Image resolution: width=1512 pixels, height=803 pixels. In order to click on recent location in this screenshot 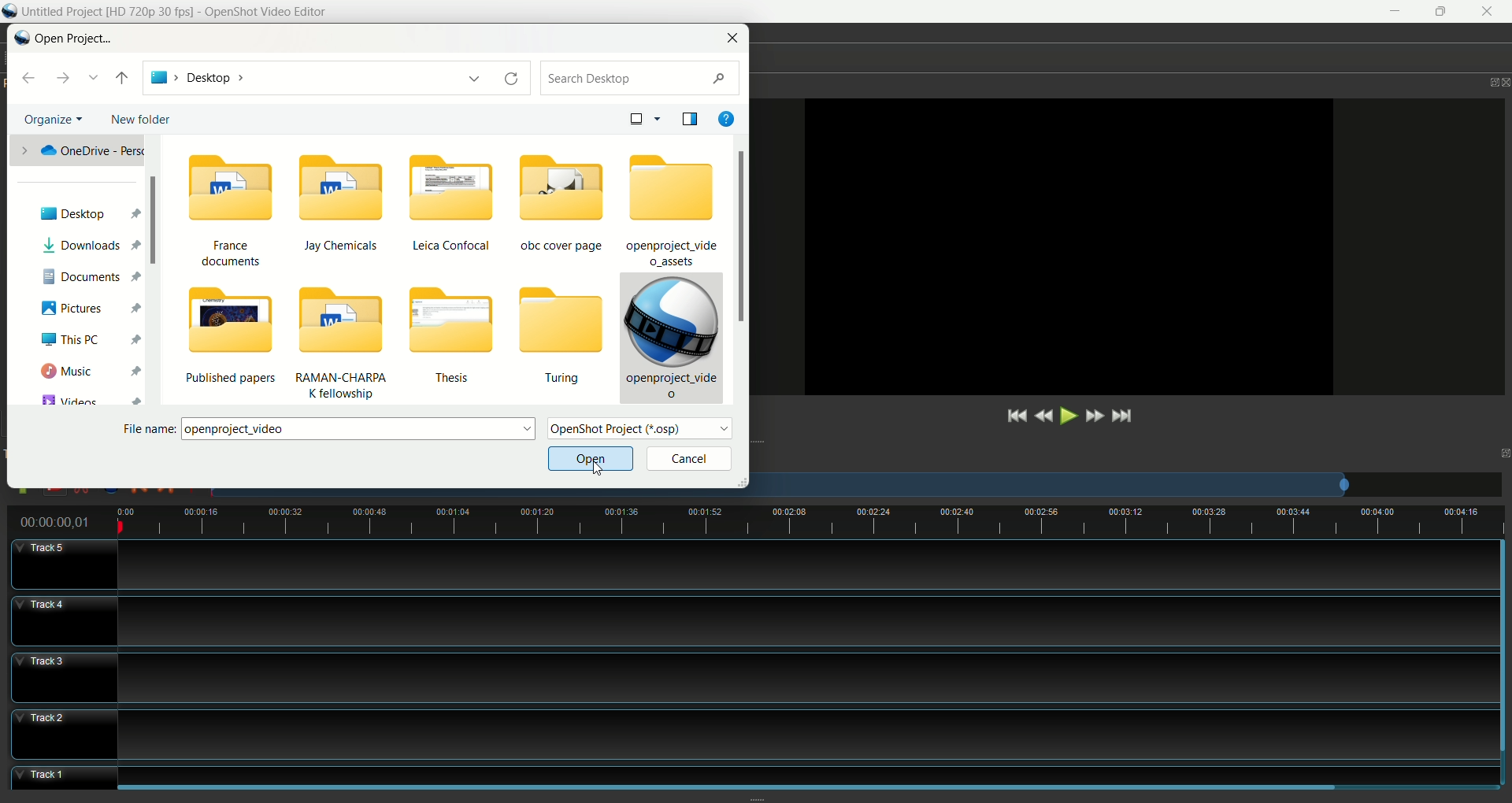, I will do `click(95, 77)`.